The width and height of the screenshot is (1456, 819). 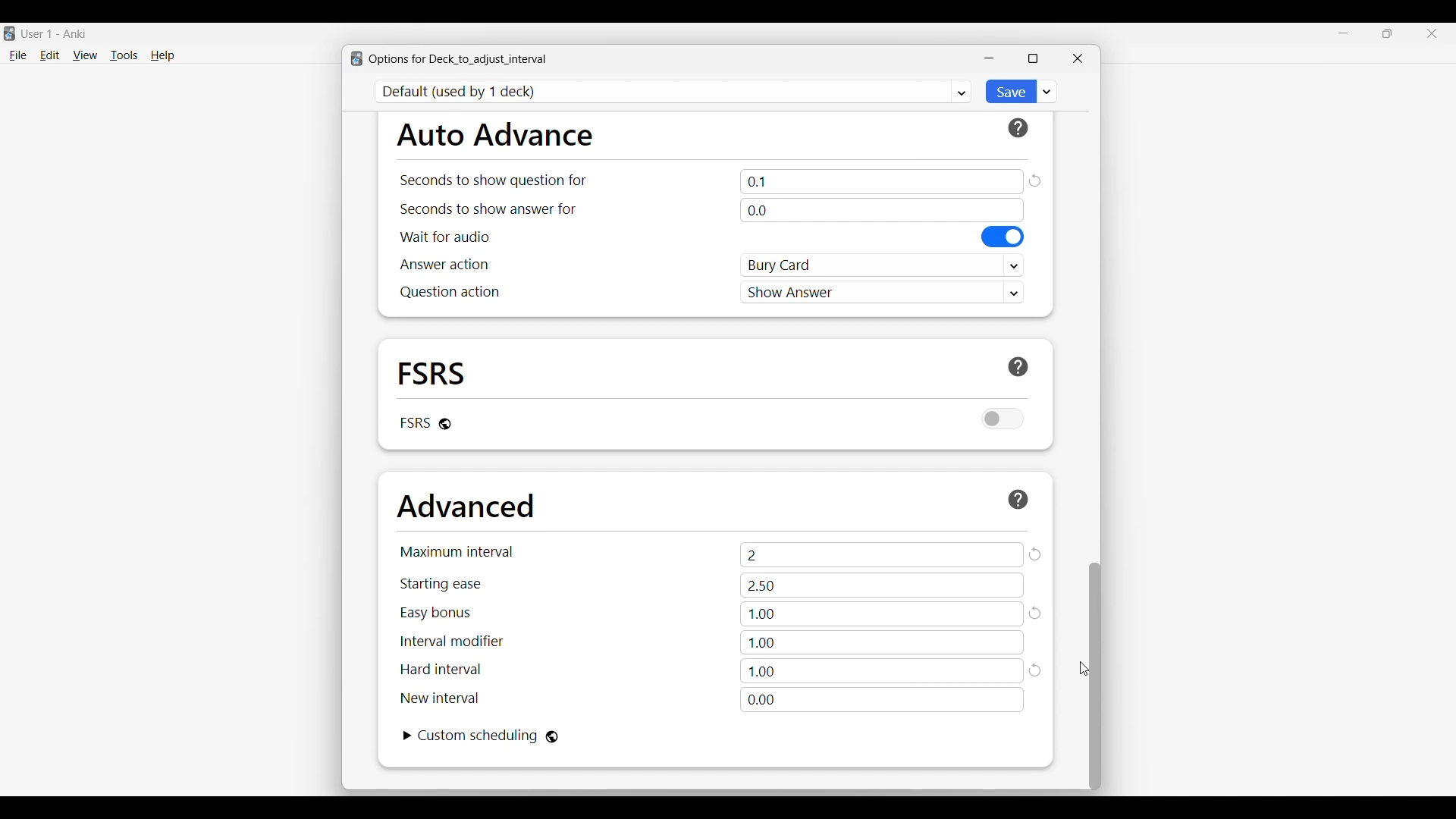 What do you see at coordinates (458, 59) in the screenshot?
I see `Window title` at bounding box center [458, 59].